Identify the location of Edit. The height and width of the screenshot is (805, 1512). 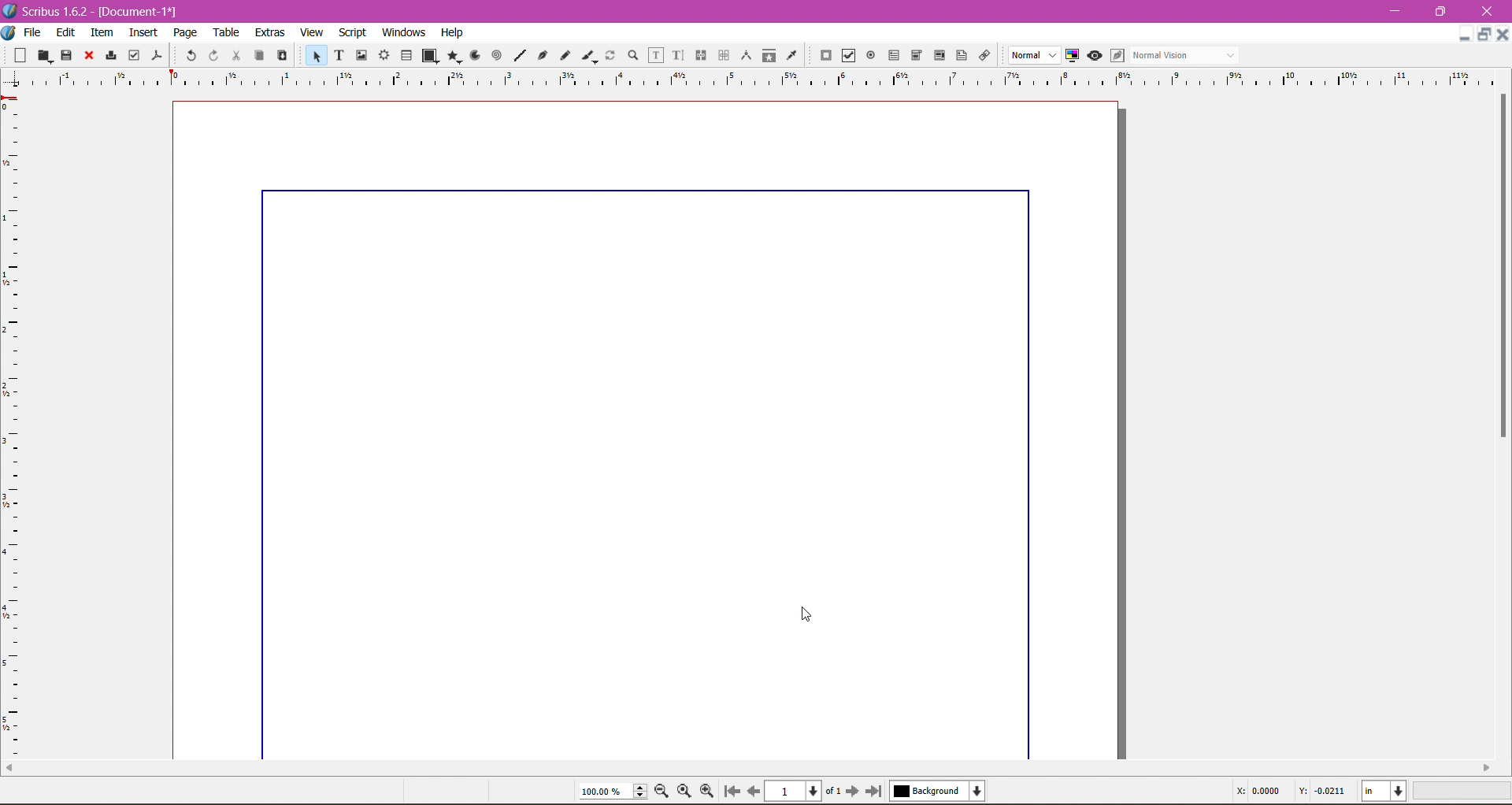
(65, 32).